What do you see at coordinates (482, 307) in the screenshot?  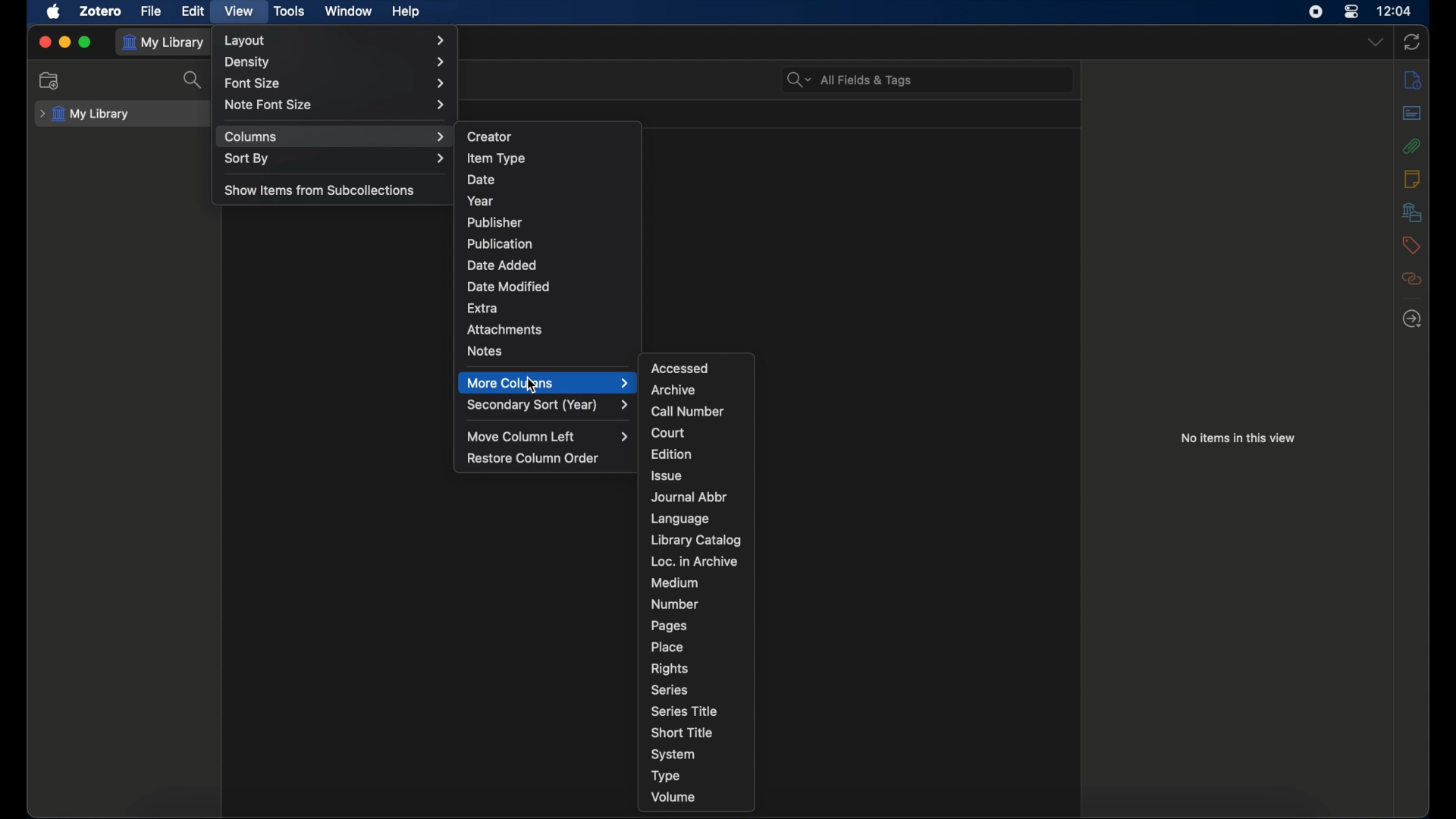 I see `extra` at bounding box center [482, 307].